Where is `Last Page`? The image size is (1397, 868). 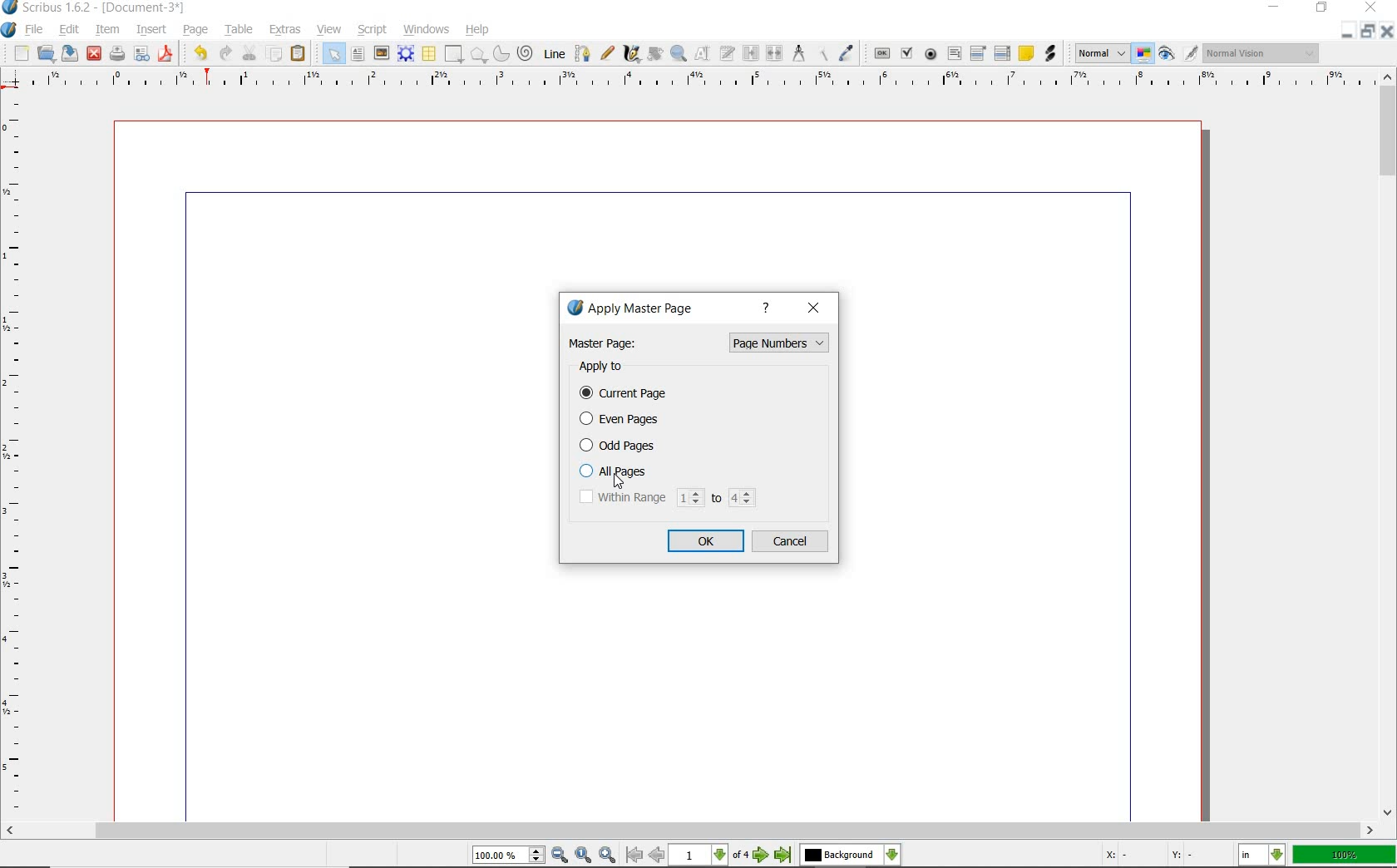
Last Page is located at coordinates (783, 857).